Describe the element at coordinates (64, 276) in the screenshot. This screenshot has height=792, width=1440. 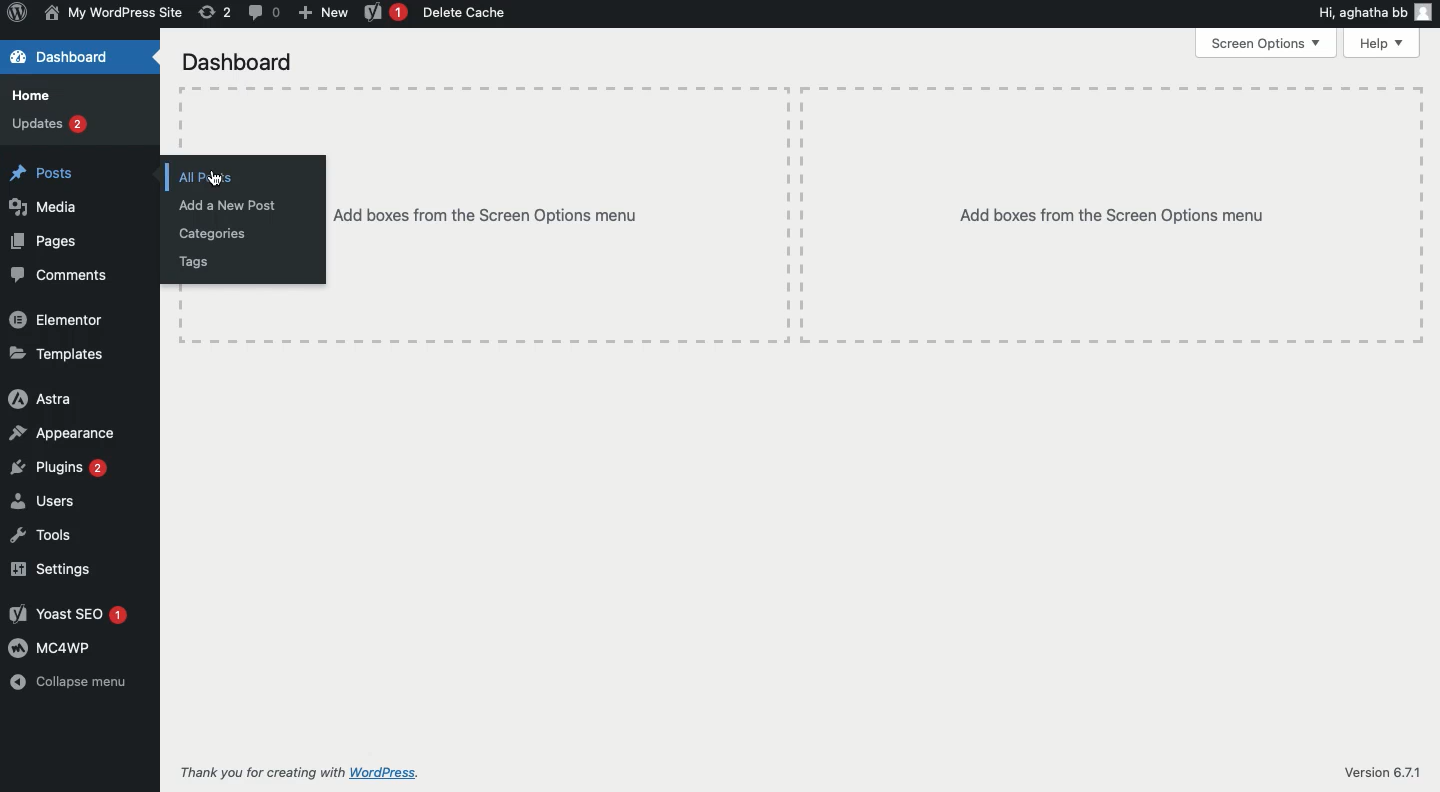
I see `Comments` at that location.